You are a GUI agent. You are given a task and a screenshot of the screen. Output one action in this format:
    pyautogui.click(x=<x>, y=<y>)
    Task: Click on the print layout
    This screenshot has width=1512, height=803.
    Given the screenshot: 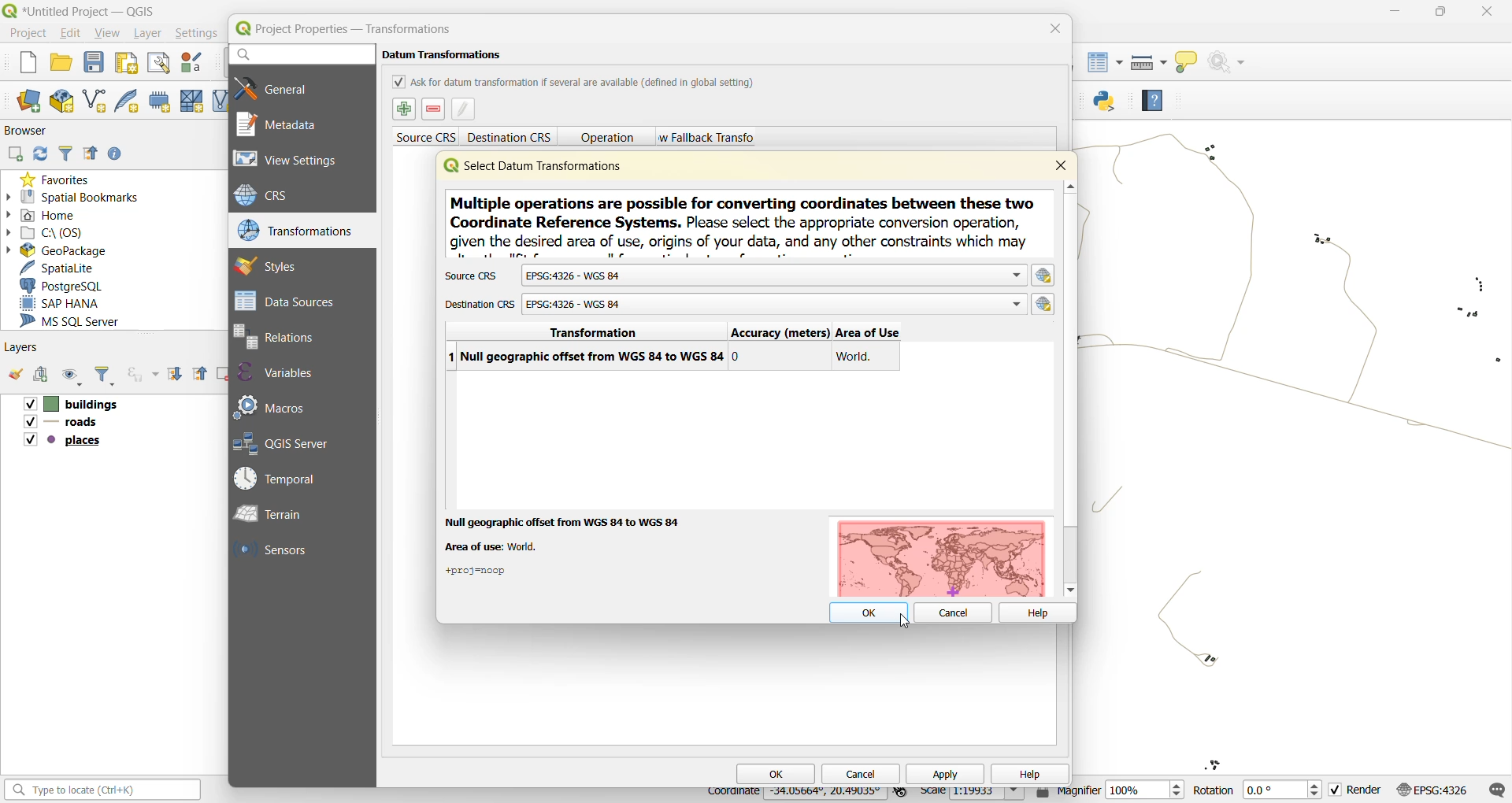 What is the action you would take?
    pyautogui.click(x=128, y=62)
    